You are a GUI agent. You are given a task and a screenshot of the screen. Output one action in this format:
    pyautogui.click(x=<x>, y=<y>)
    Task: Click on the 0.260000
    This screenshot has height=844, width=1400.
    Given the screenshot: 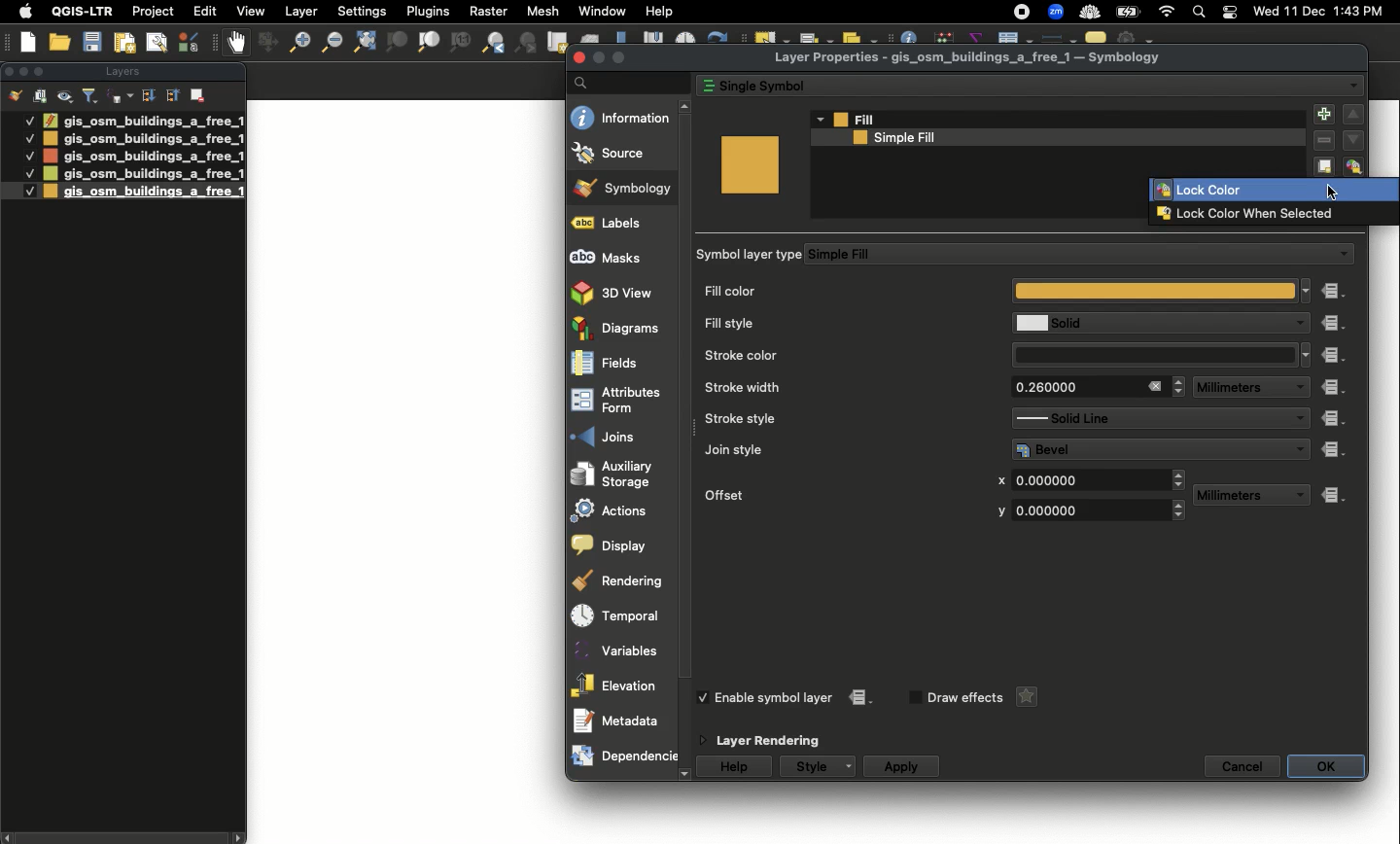 What is the action you would take?
    pyautogui.click(x=1070, y=387)
    